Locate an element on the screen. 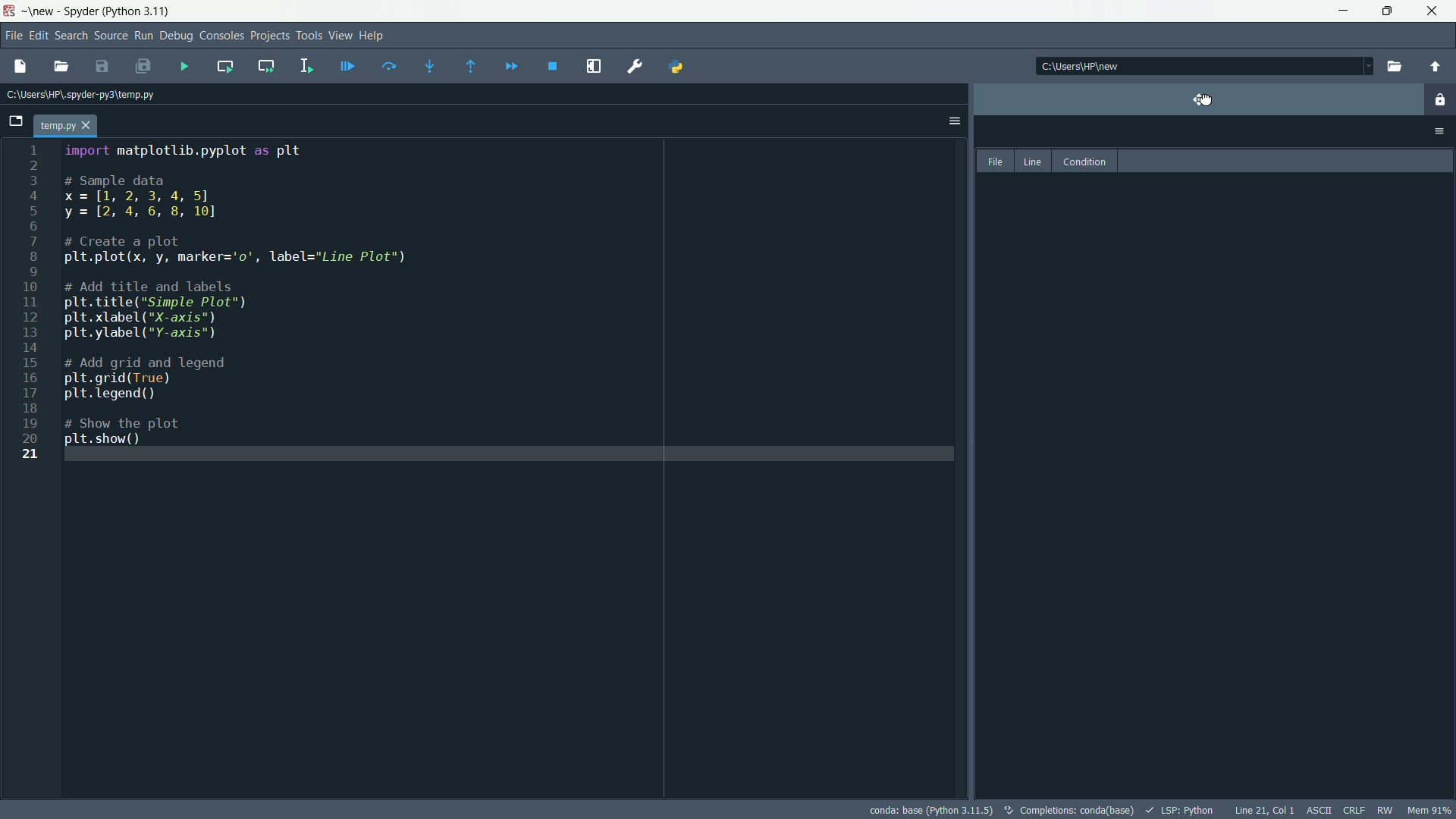 This screenshot has width=1456, height=819. 1 2 3 4 5 6 7 8 9 10 11 12 13 14 15 16 17 18 19 20 21 is located at coordinates (36, 312).